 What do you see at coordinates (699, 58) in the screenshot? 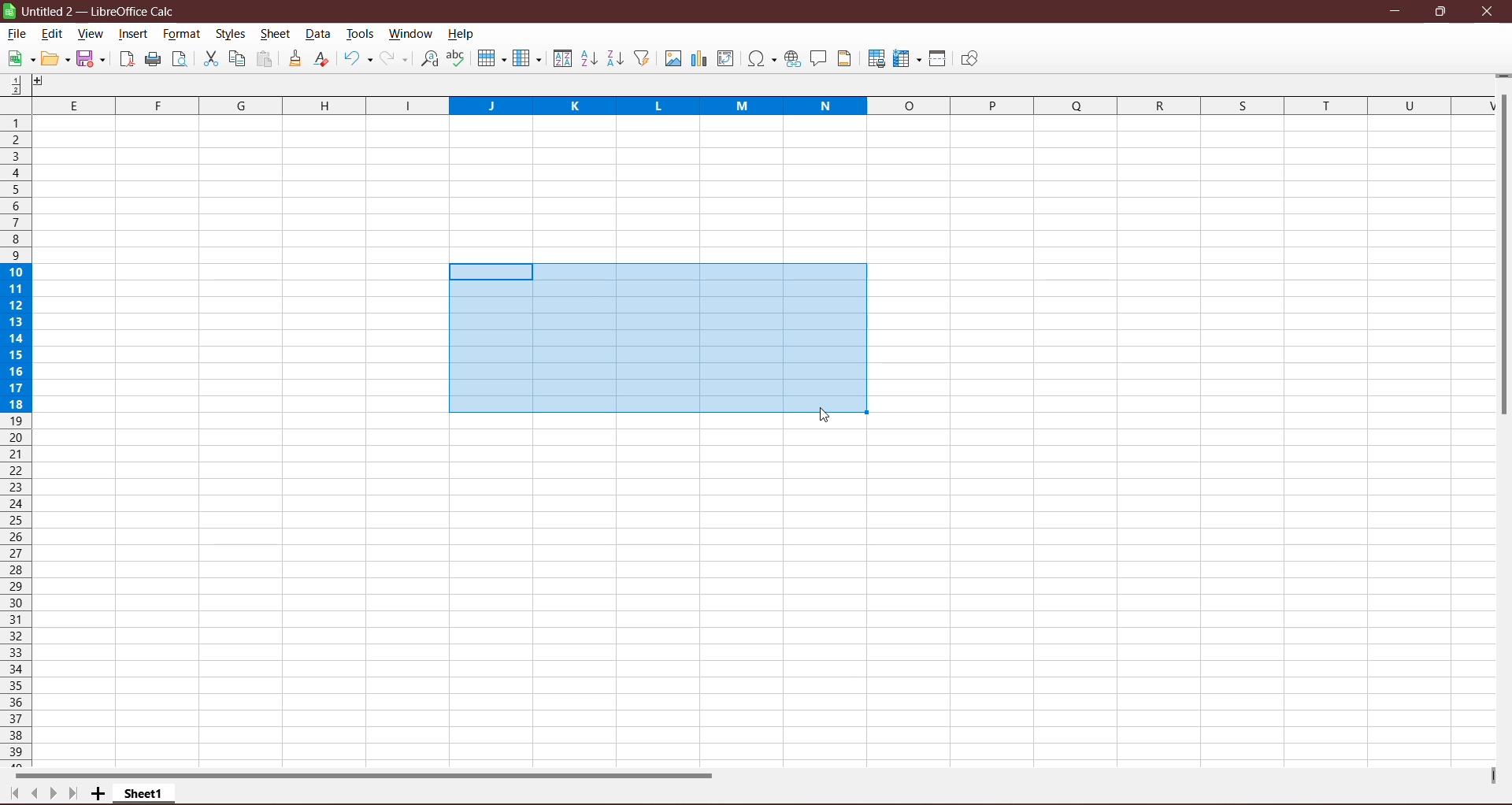
I see `Insert Poll` at bounding box center [699, 58].